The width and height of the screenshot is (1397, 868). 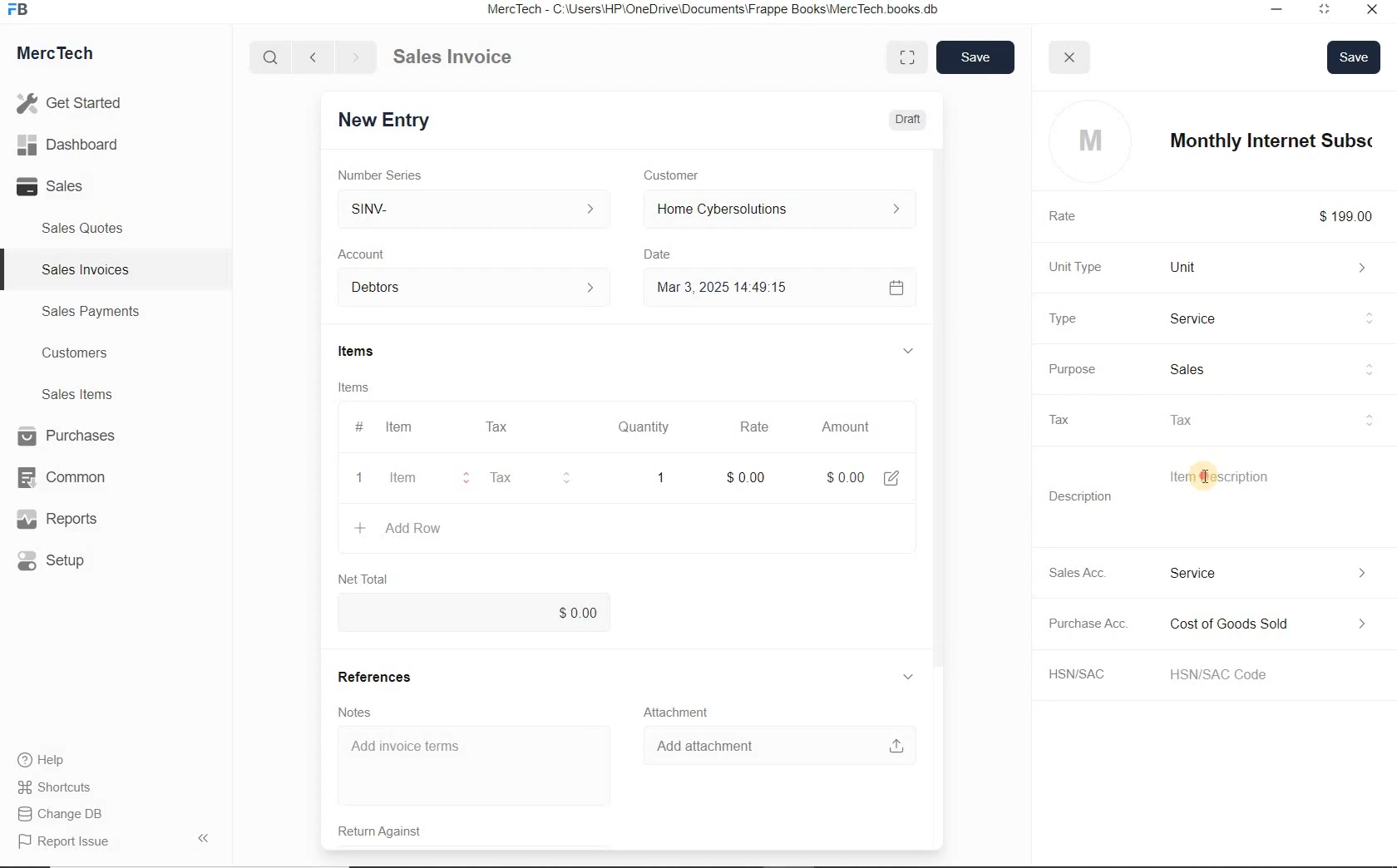 I want to click on item name, so click(x=1263, y=141).